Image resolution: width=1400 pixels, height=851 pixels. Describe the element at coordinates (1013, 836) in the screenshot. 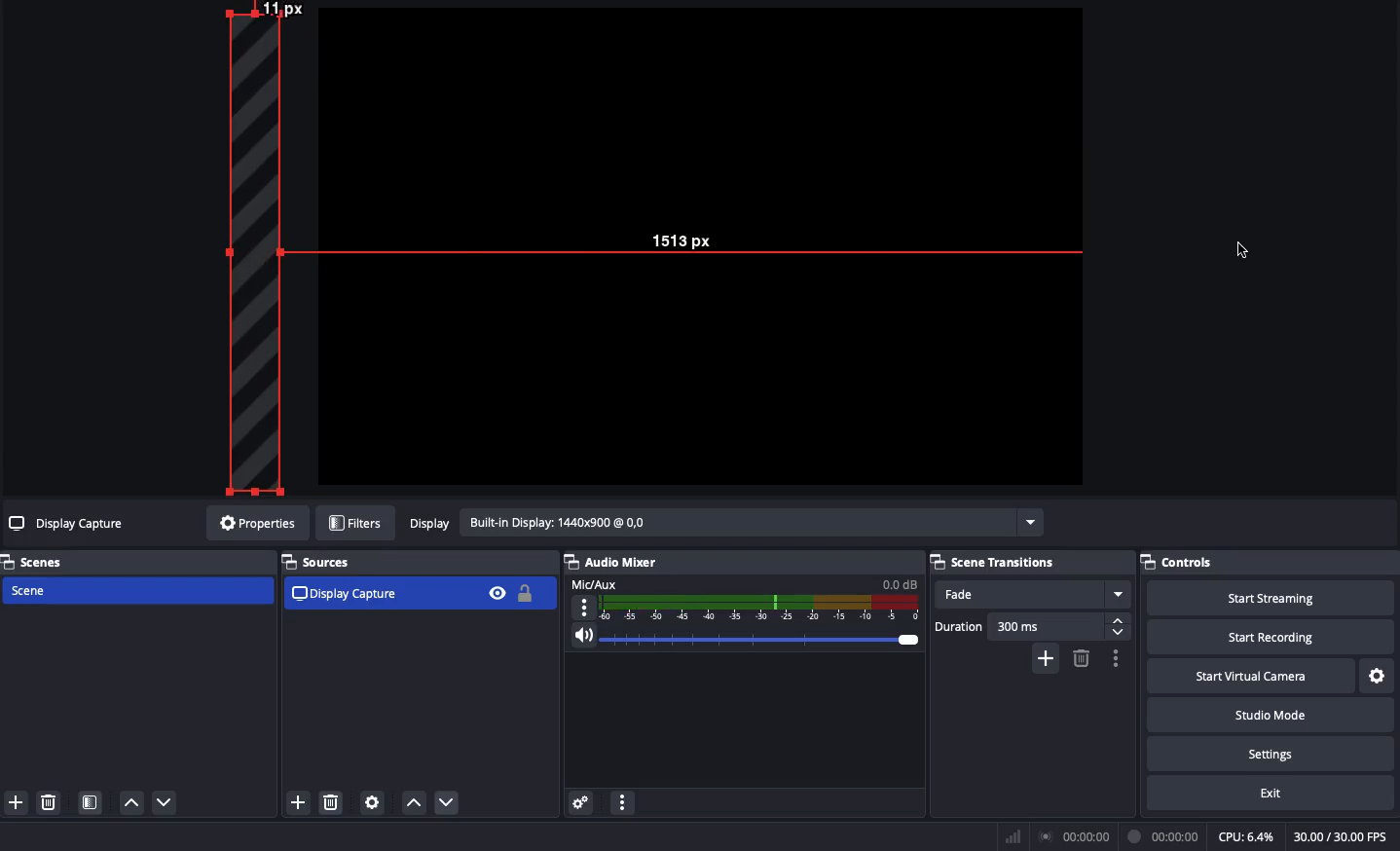

I see `Bar` at that location.